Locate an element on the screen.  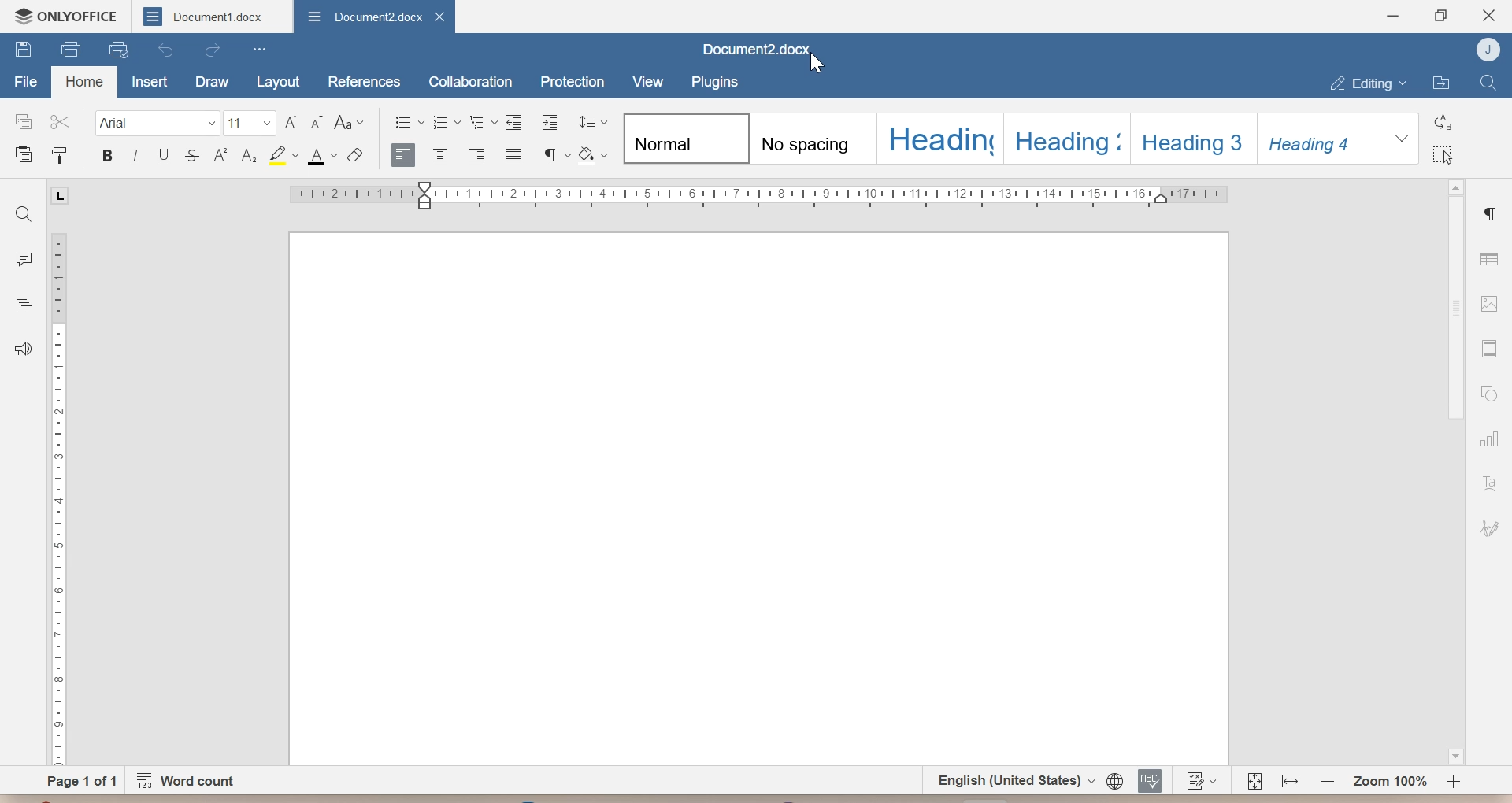
Shapes is located at coordinates (1489, 393).